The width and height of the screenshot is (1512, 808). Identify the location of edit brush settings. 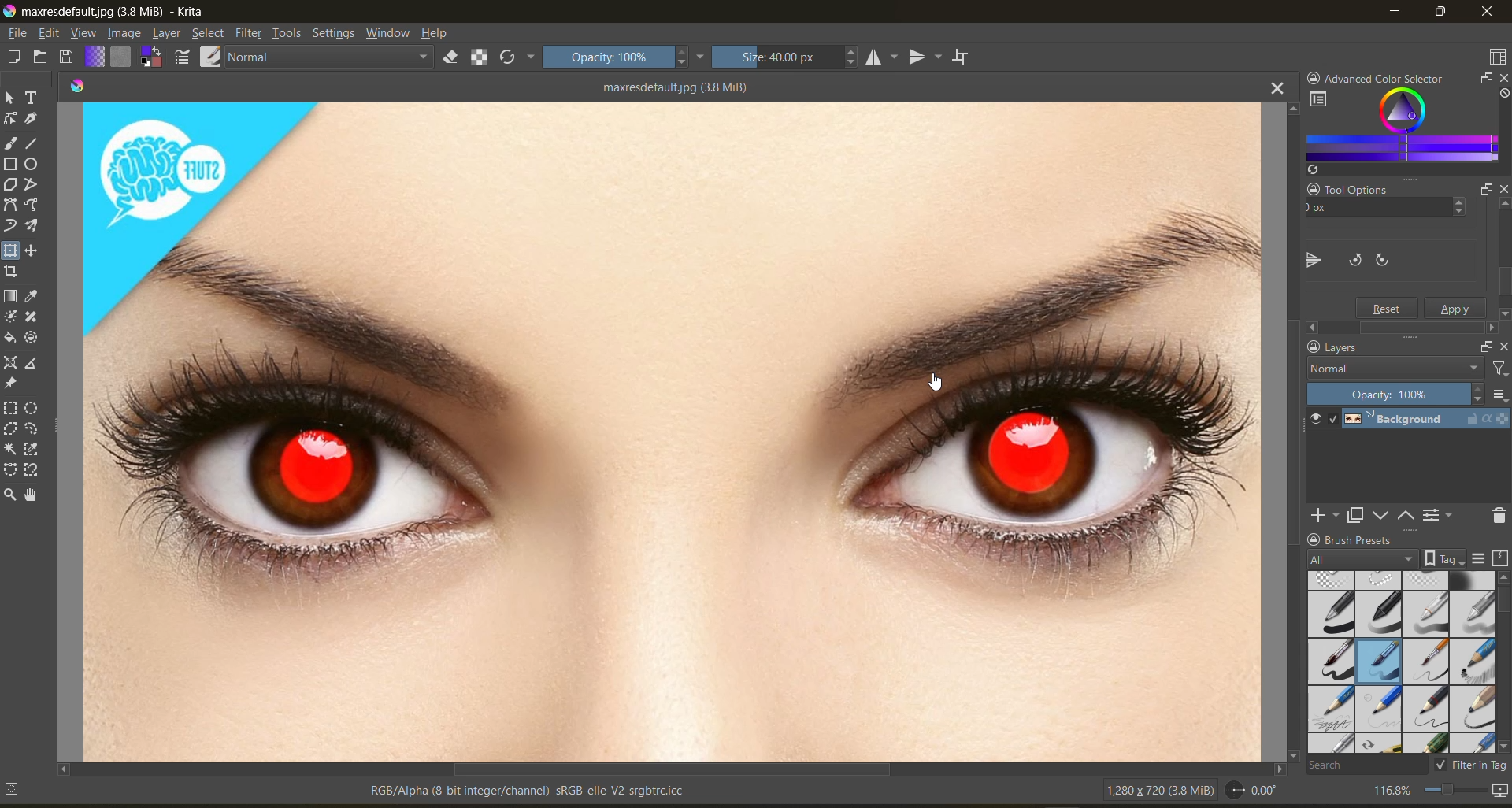
(184, 57).